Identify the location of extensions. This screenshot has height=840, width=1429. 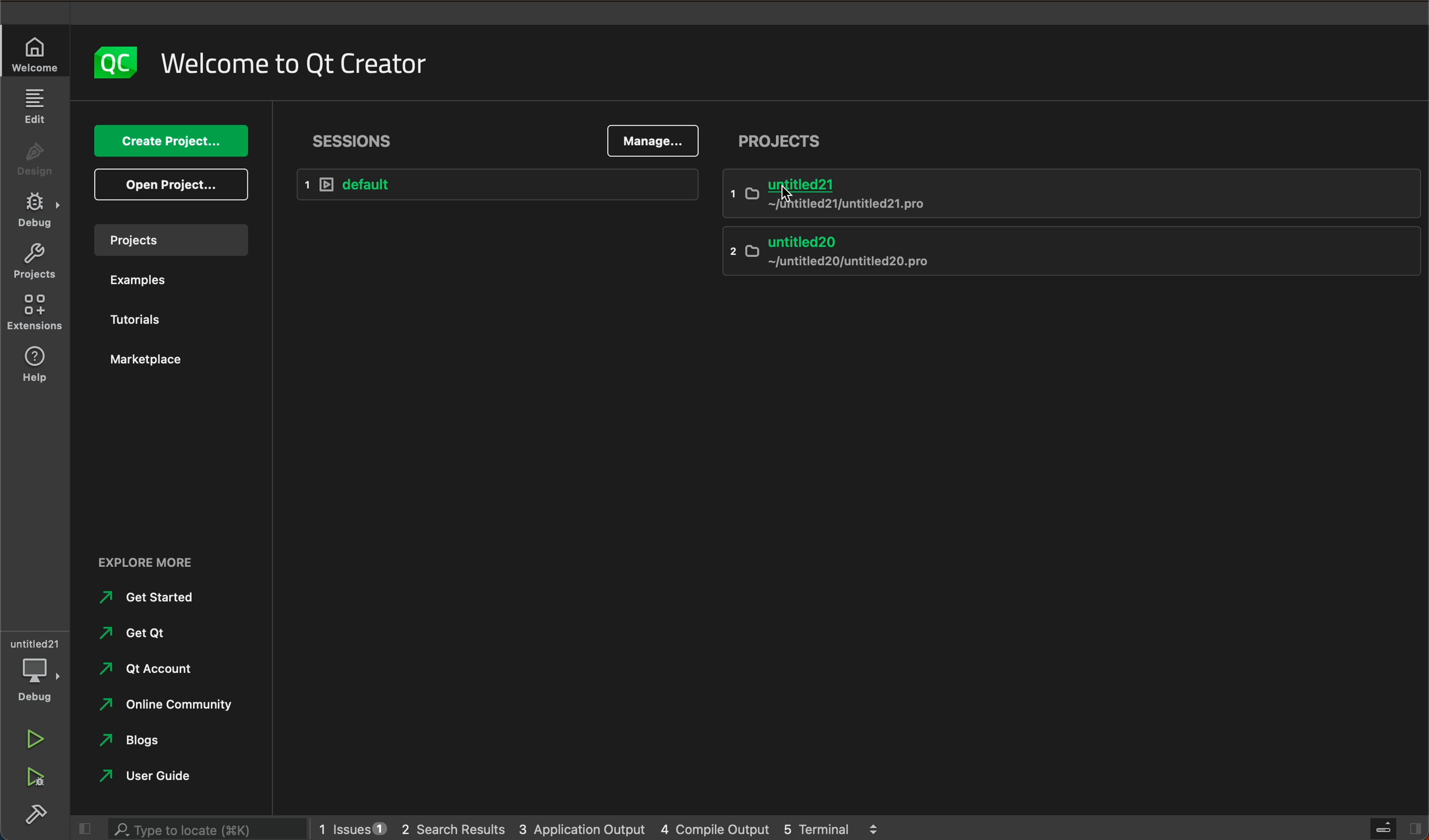
(35, 308).